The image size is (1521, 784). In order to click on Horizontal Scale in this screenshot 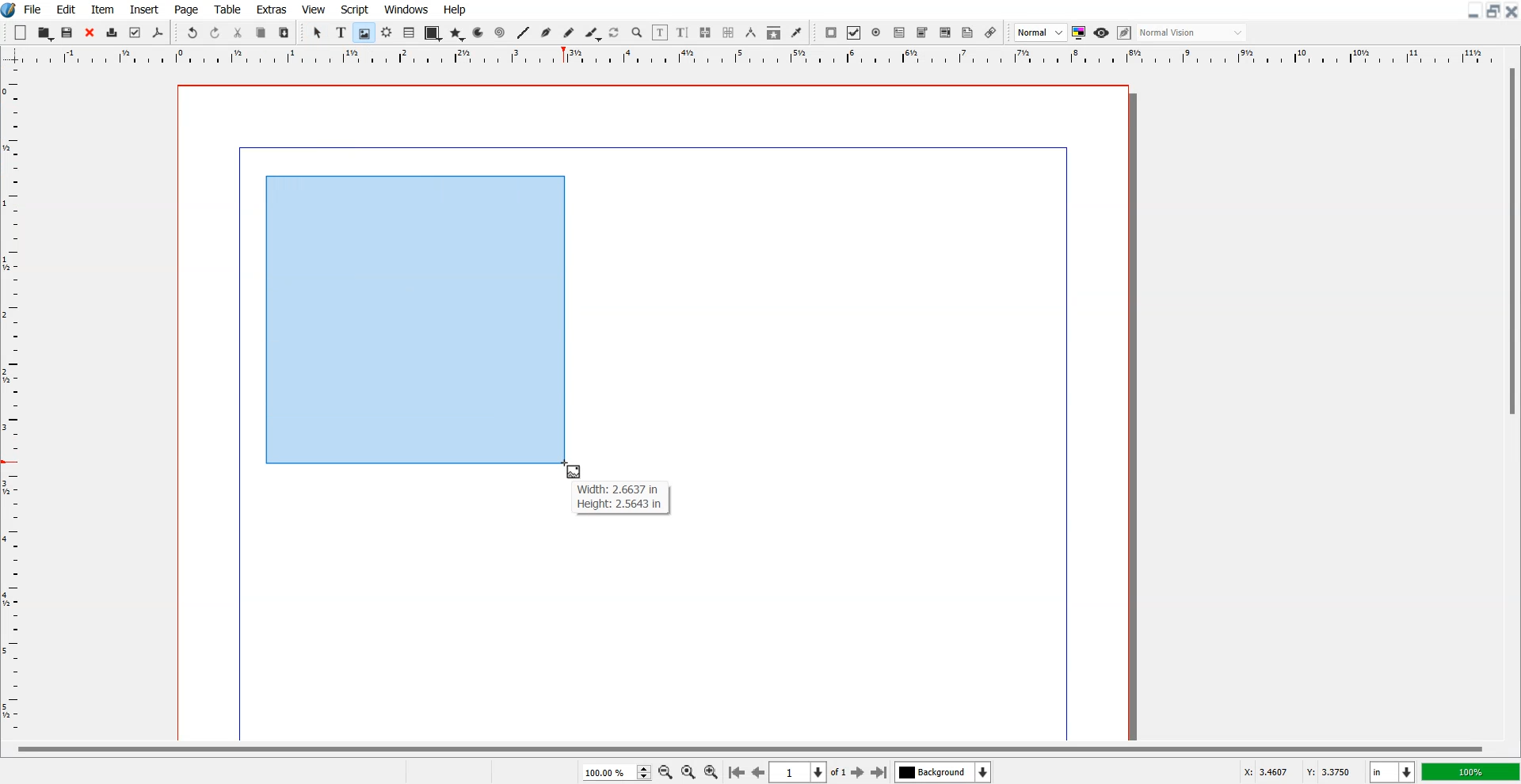, I will do `click(15, 403)`.